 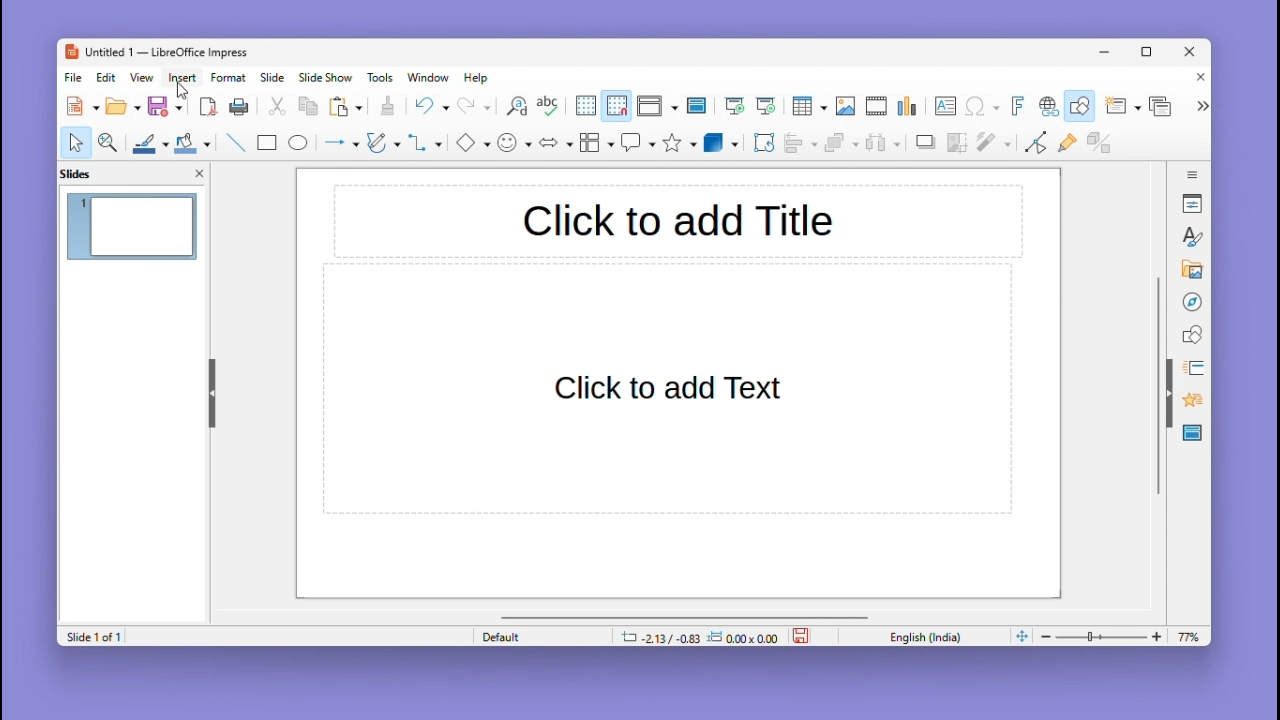 What do you see at coordinates (1193, 172) in the screenshot?
I see `Sidebar settings` at bounding box center [1193, 172].